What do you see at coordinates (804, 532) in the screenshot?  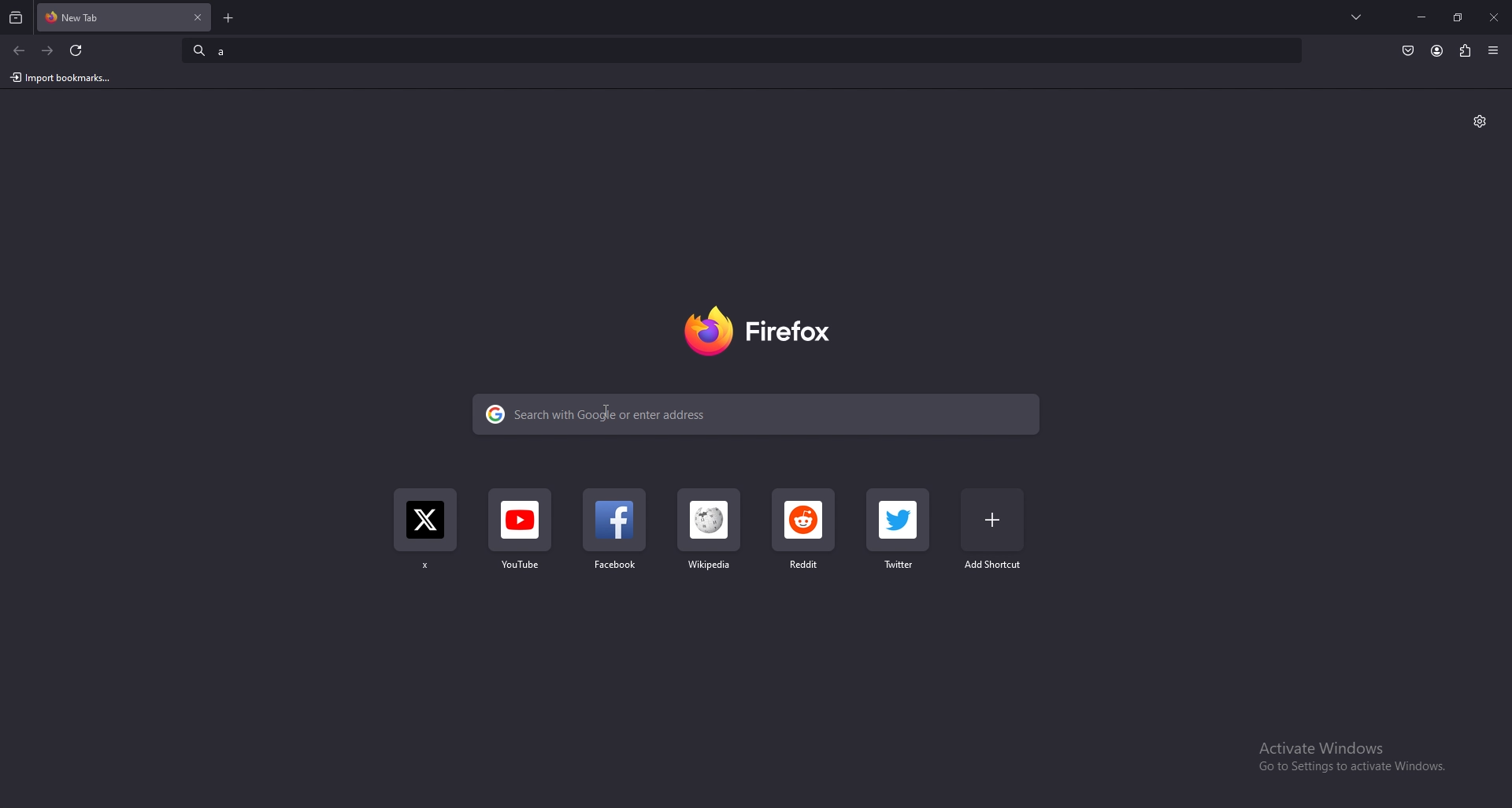 I see `reddit` at bounding box center [804, 532].